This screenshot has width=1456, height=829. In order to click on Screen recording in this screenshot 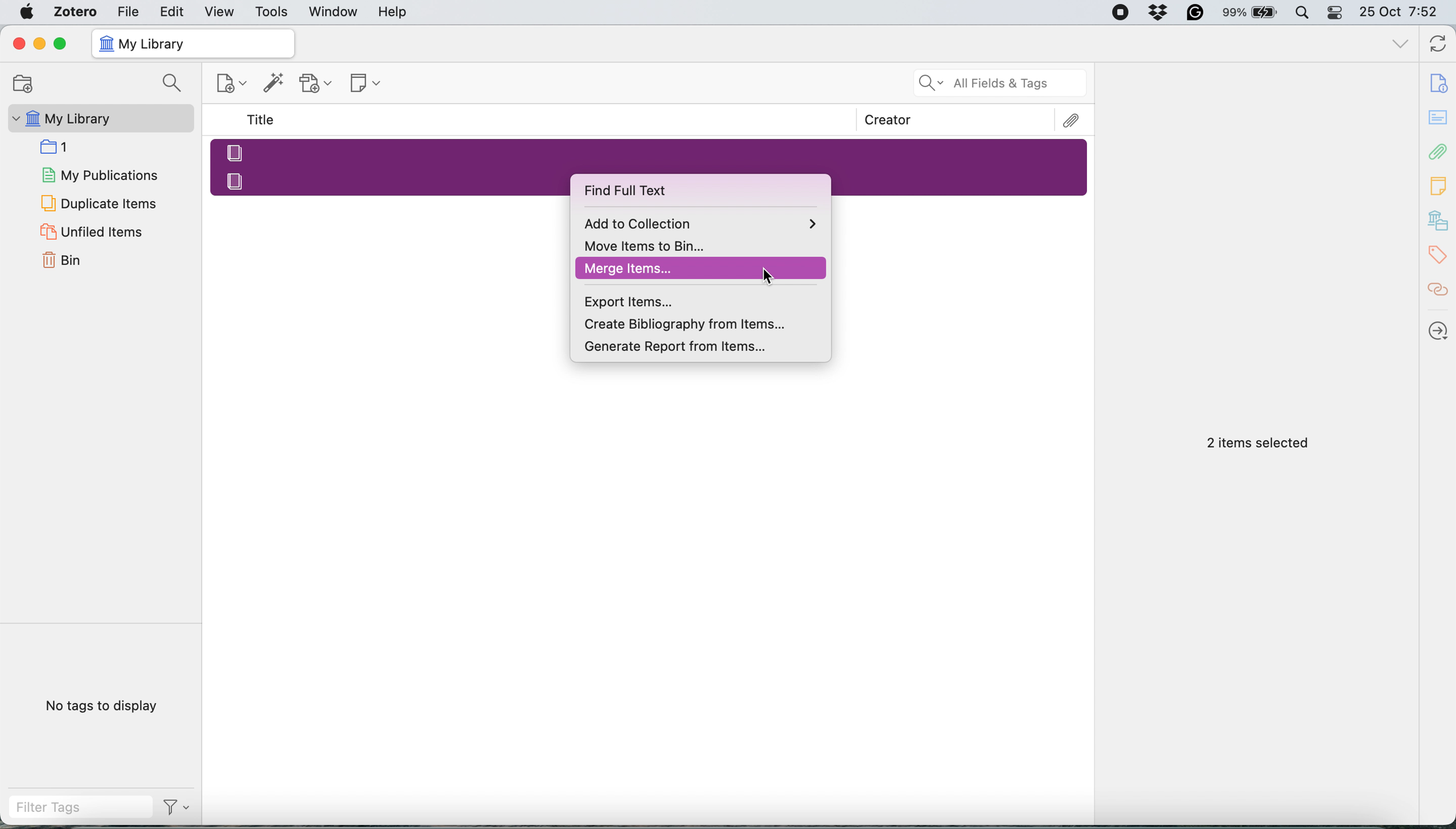, I will do `click(1119, 13)`.